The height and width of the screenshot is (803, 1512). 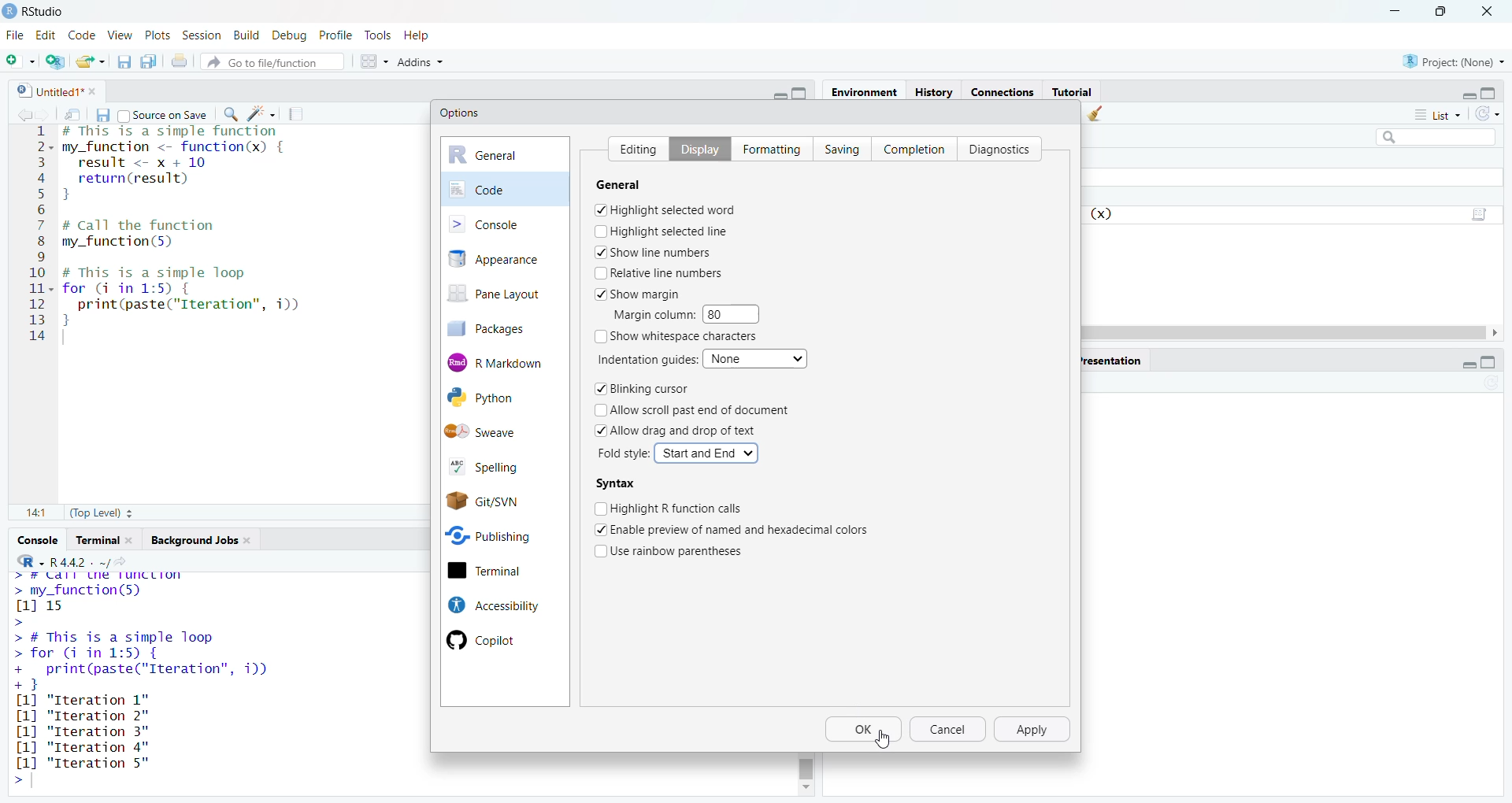 What do you see at coordinates (1287, 332) in the screenshot?
I see `scrollbar` at bounding box center [1287, 332].